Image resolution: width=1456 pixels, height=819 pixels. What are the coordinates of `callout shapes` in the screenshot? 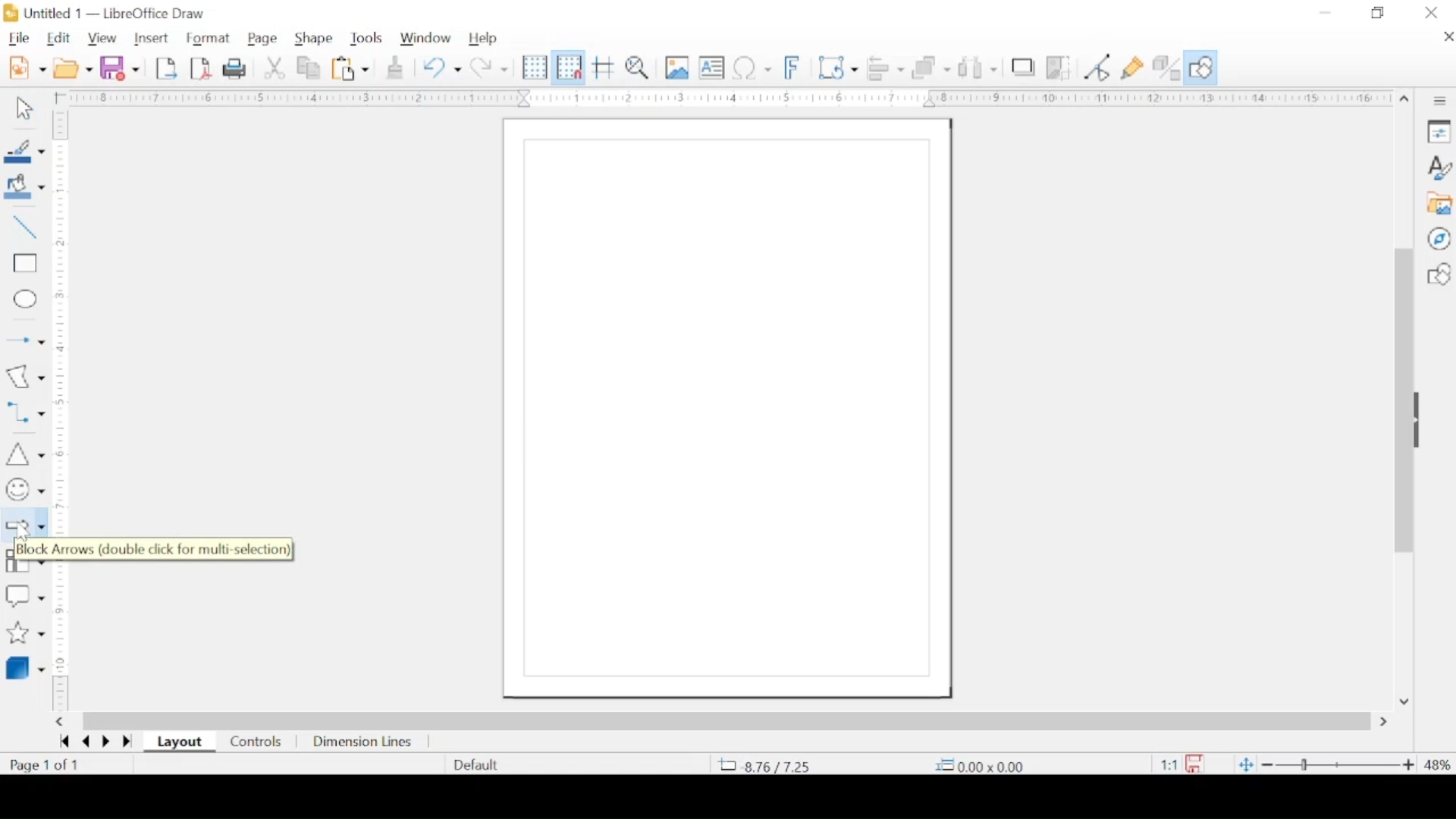 It's located at (24, 597).